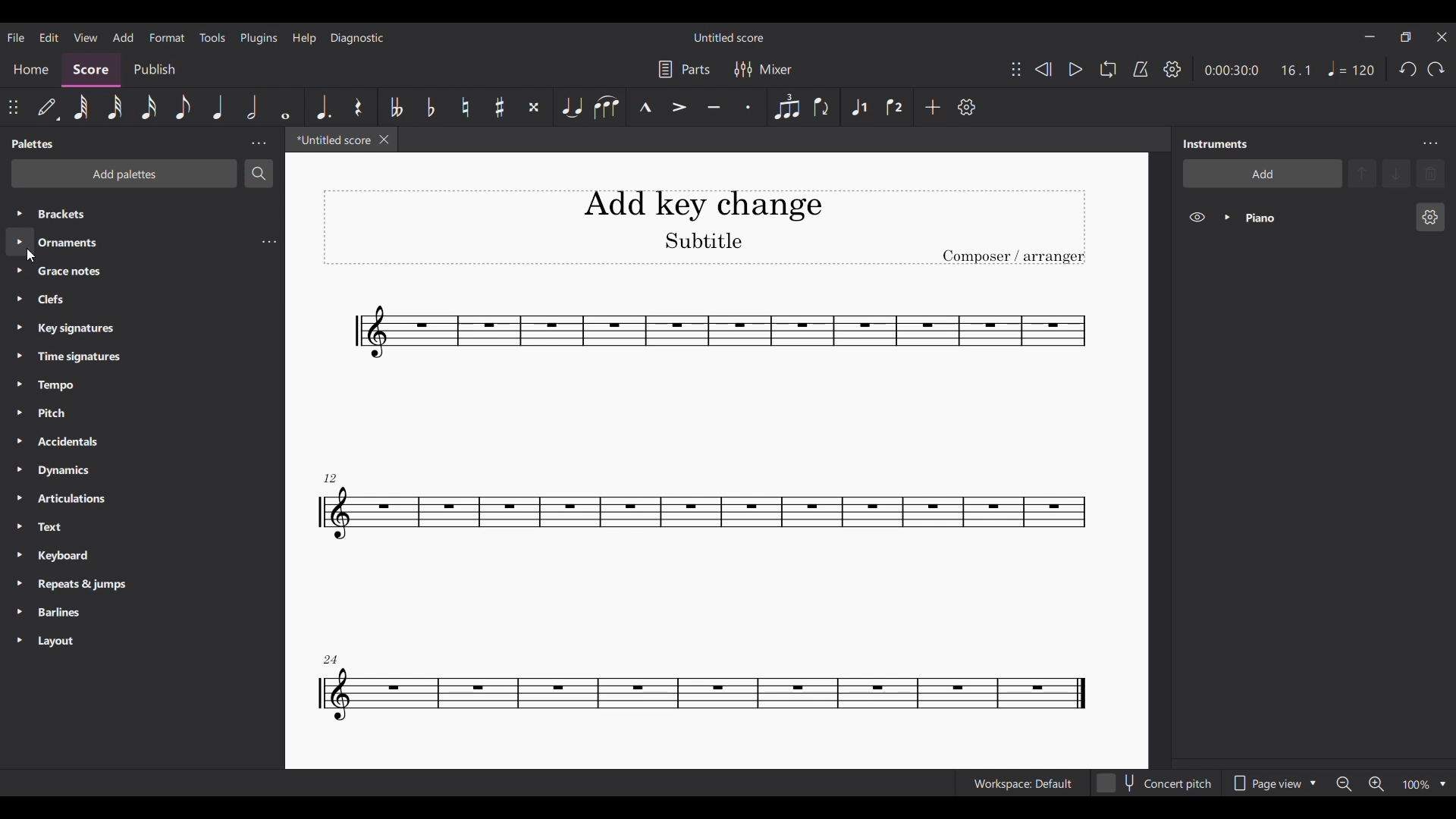 The width and height of the screenshot is (1456, 819). What do you see at coordinates (31, 70) in the screenshot?
I see `Home section` at bounding box center [31, 70].